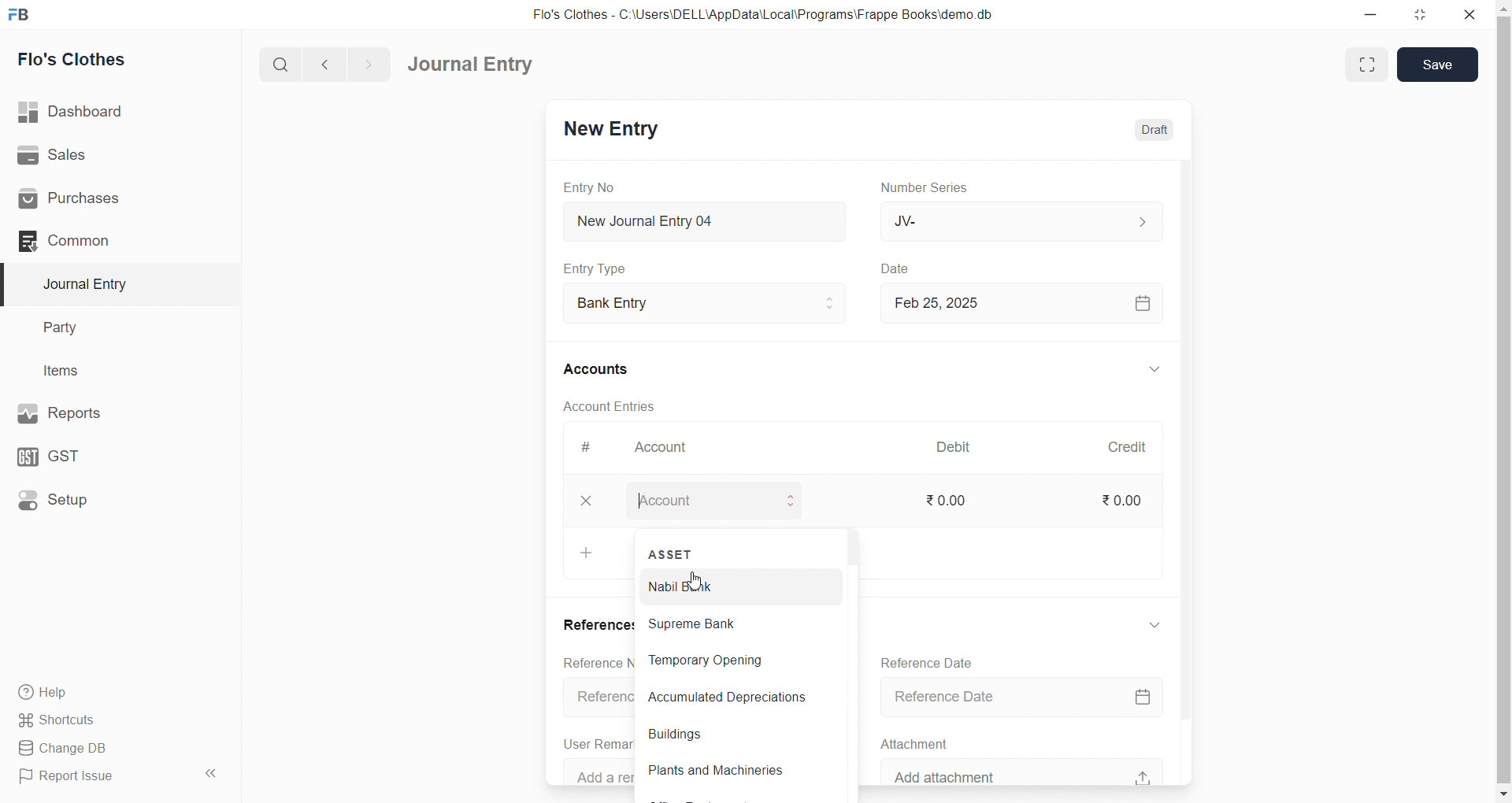  I want to click on Flo's Clothes, so click(113, 60).